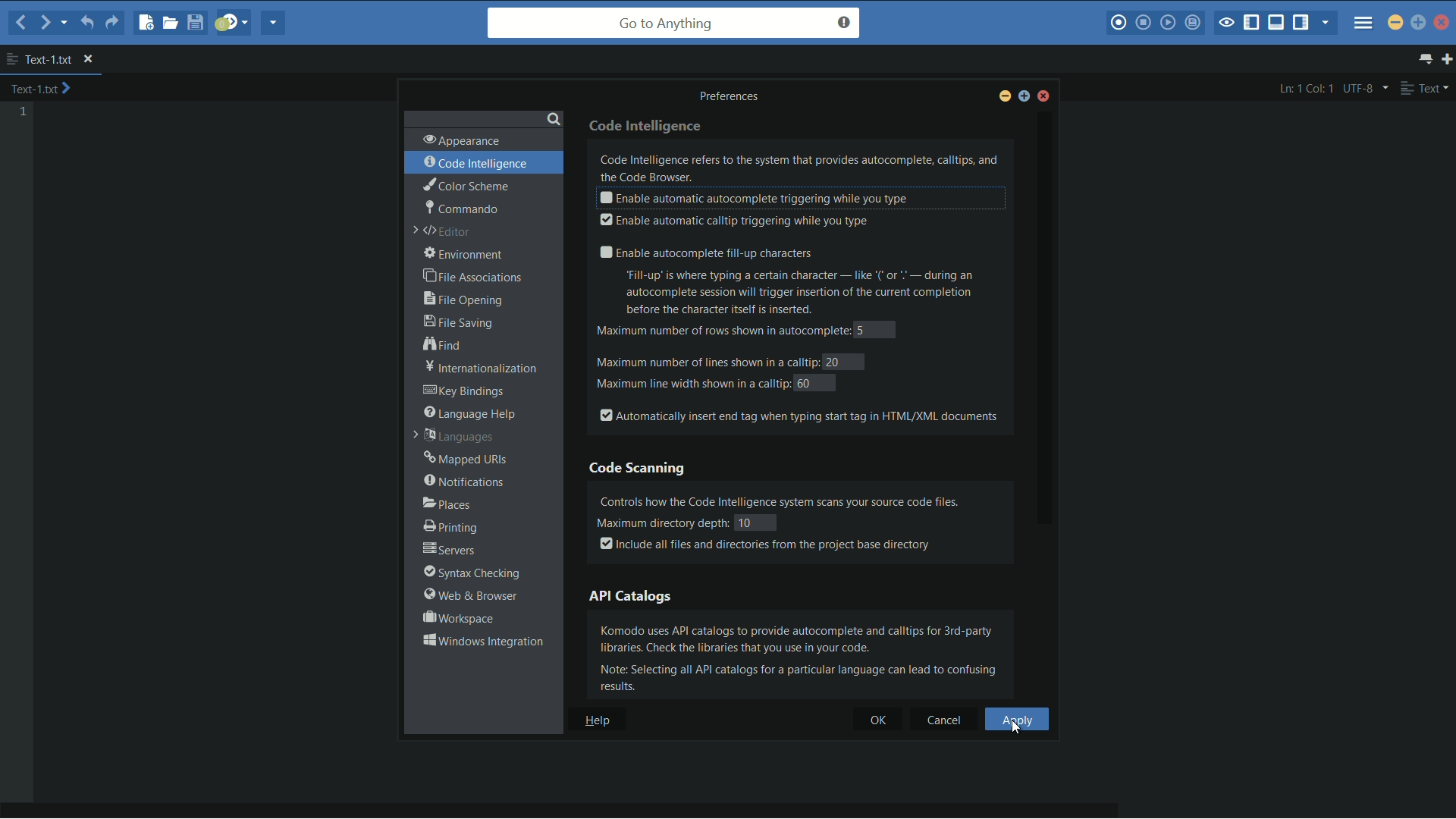 The image size is (1456, 819). Describe the element at coordinates (456, 438) in the screenshot. I see `languages` at that location.